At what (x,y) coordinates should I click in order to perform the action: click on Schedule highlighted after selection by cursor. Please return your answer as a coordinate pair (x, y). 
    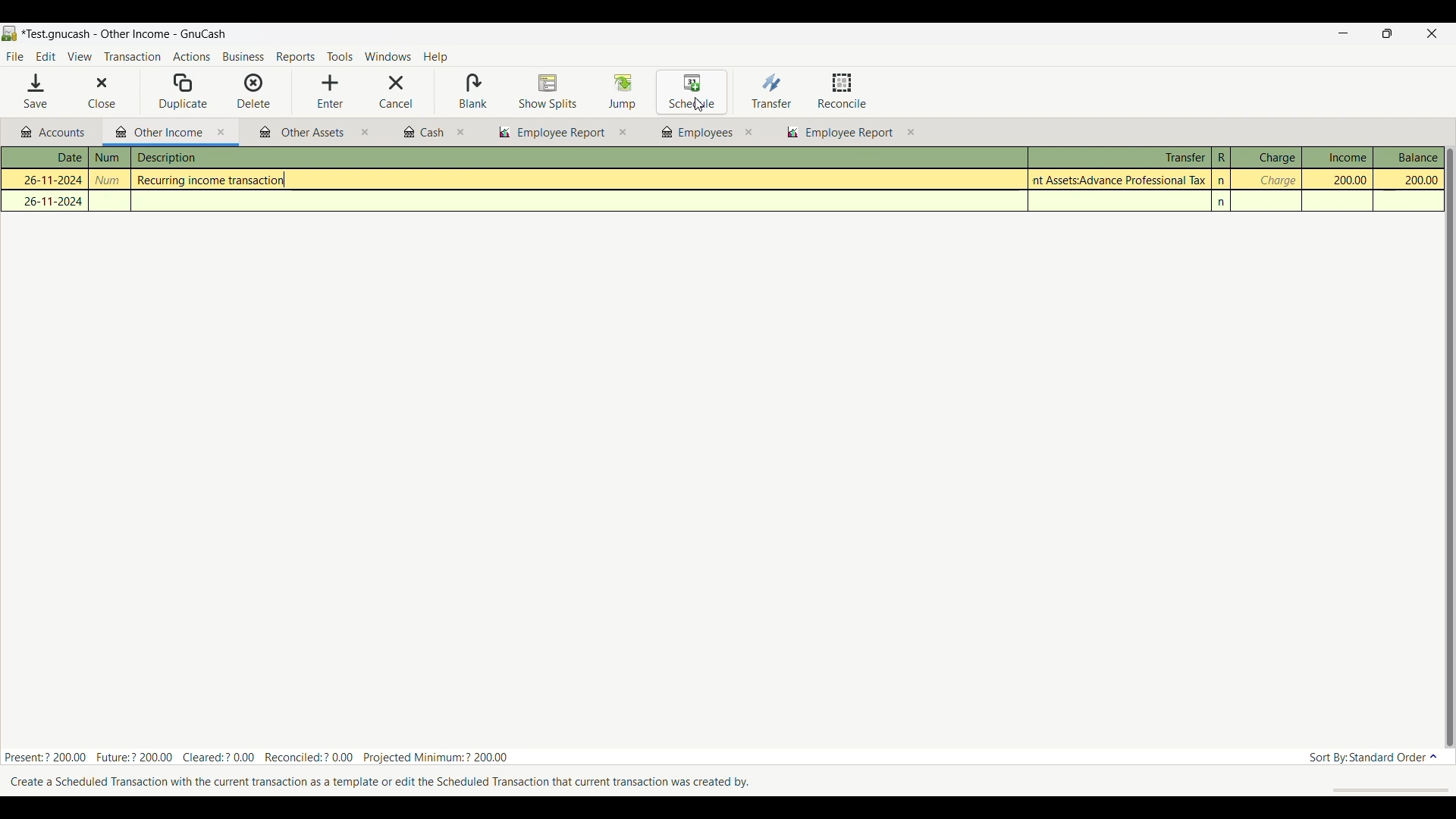
    Looking at the image, I should click on (692, 93).